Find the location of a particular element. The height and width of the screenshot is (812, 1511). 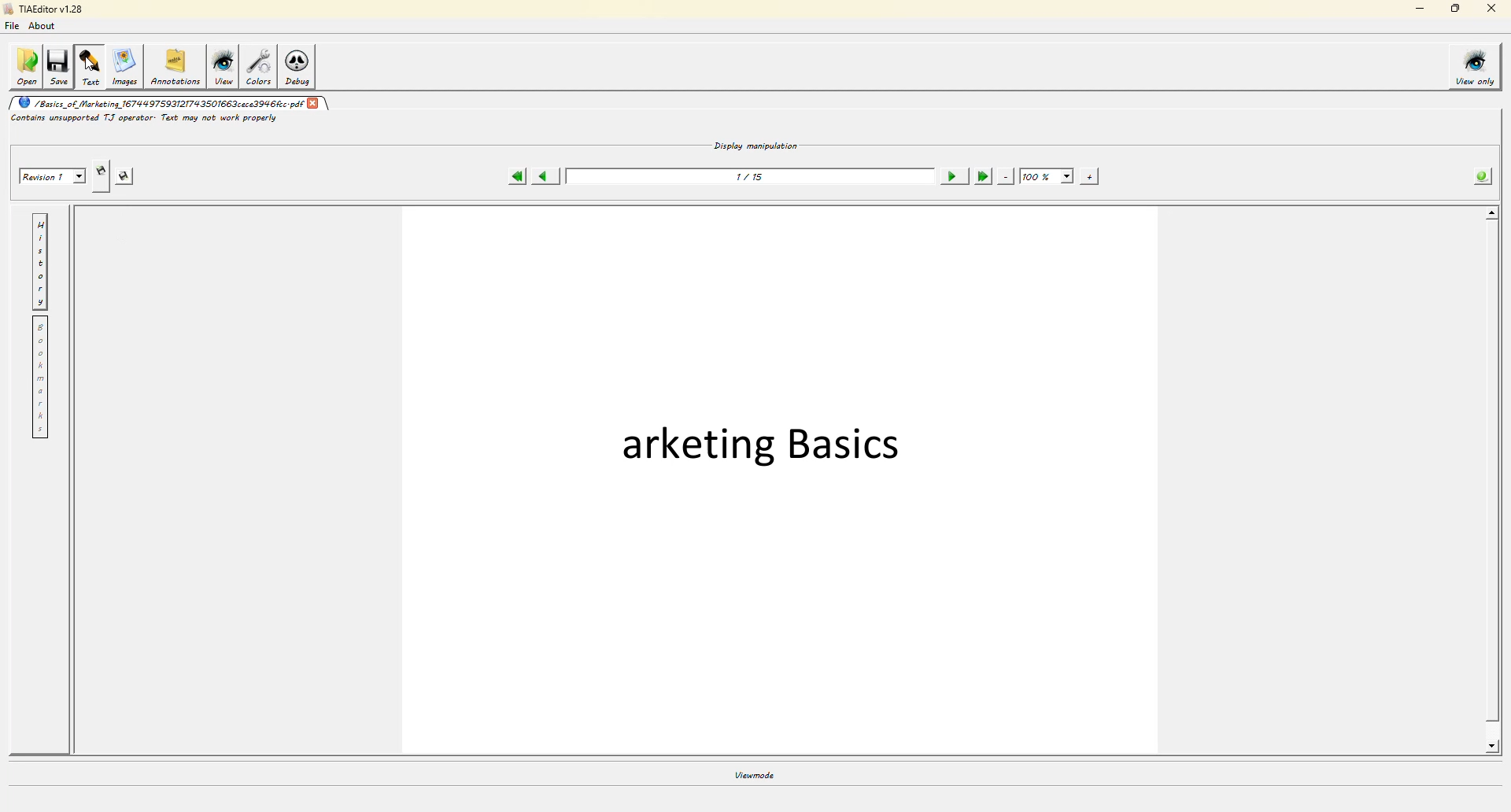

about is located at coordinates (46, 28).